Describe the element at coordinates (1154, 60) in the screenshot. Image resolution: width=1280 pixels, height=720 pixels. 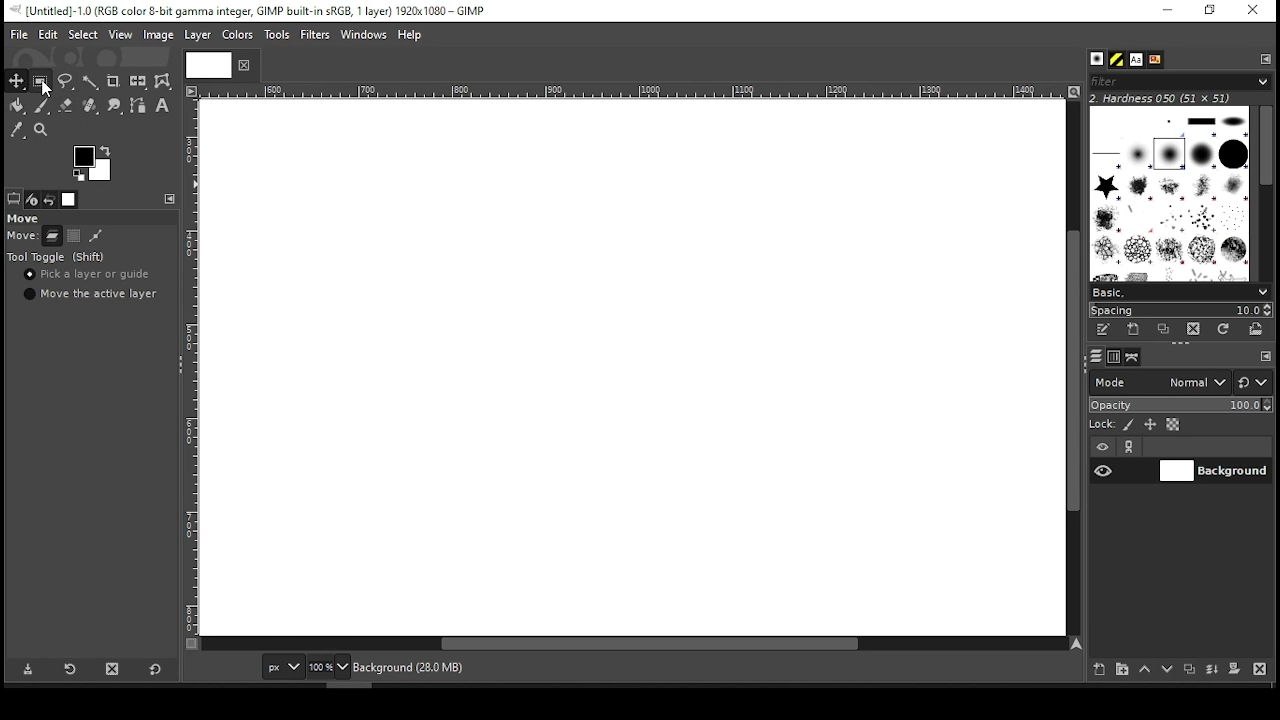
I see `document history` at that location.